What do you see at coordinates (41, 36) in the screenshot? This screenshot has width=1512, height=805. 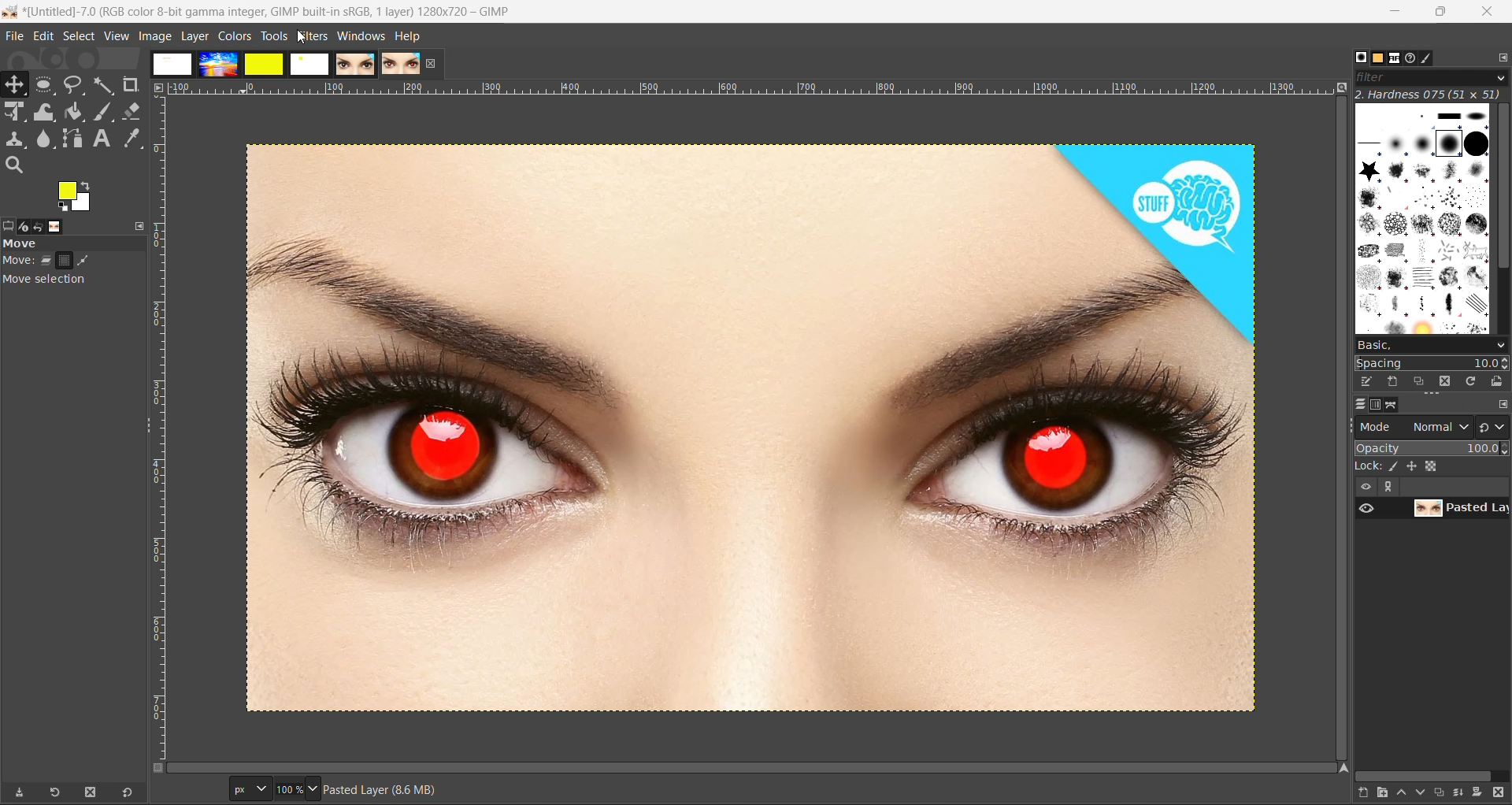 I see `edit` at bounding box center [41, 36].